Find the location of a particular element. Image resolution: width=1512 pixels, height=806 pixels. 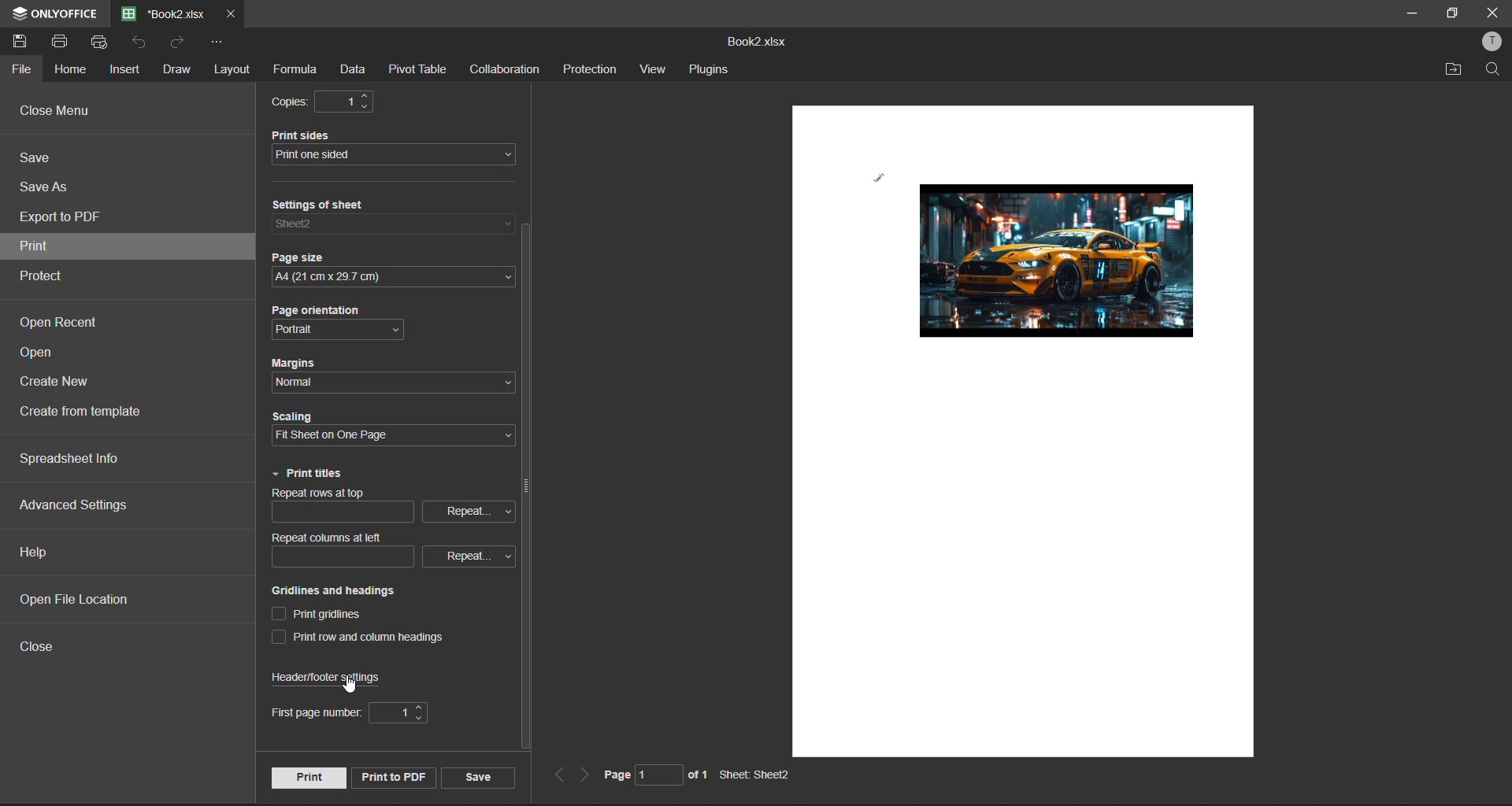

print side is located at coordinates (397, 147).